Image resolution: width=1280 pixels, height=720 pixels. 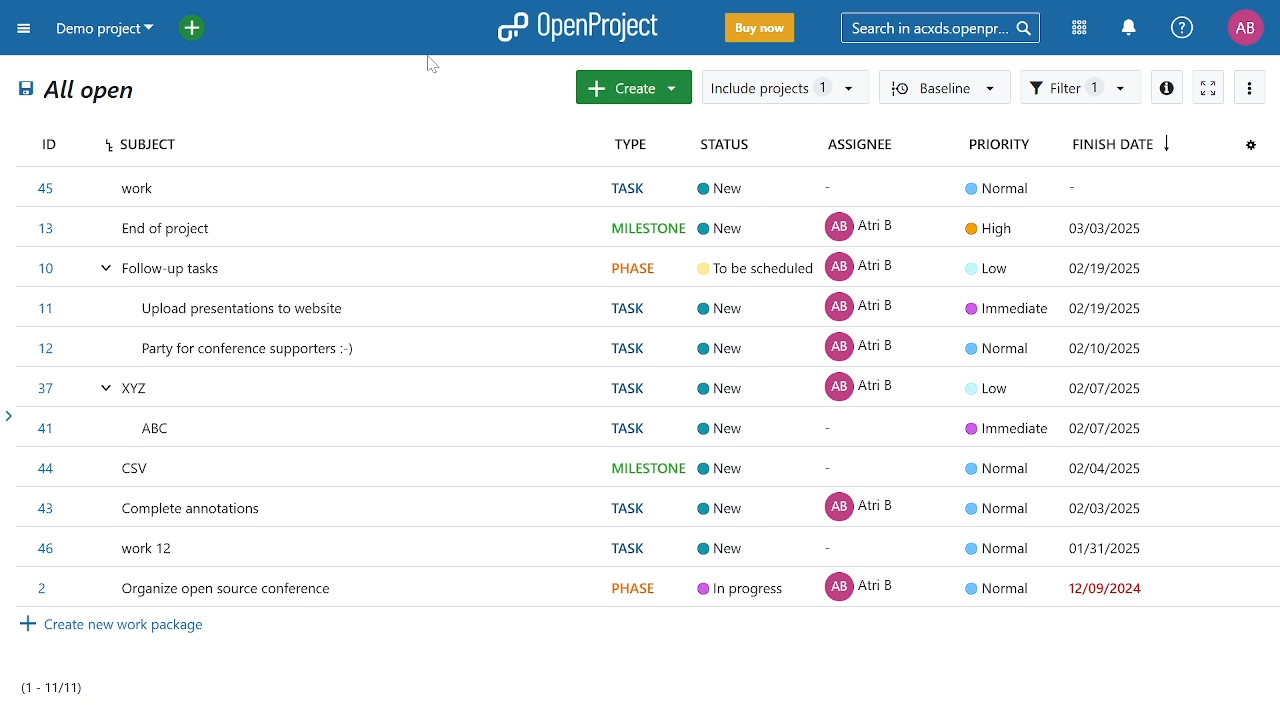 I want to click on task count, so click(x=66, y=685).